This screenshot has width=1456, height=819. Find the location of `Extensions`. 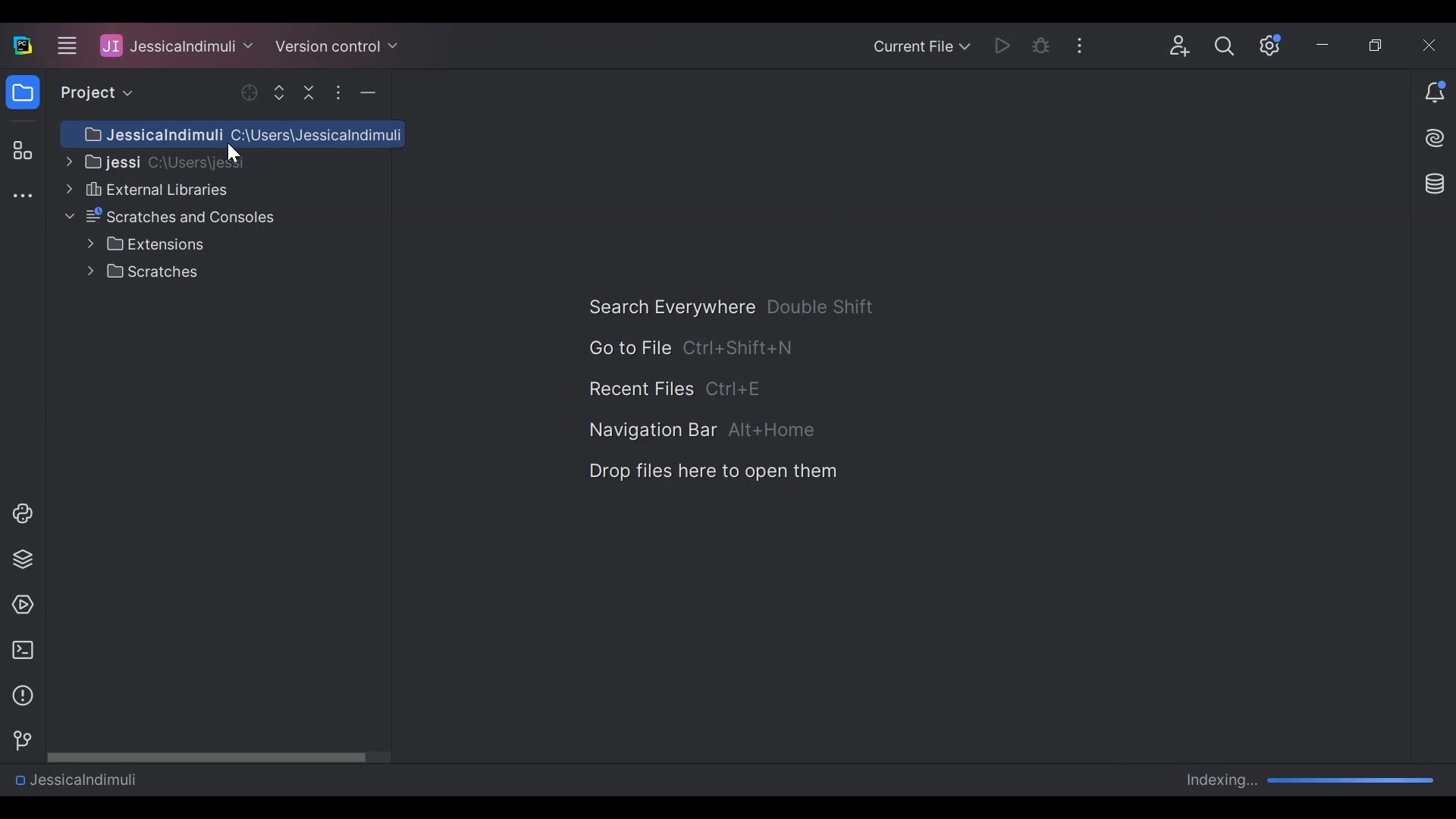

Extensions is located at coordinates (146, 244).